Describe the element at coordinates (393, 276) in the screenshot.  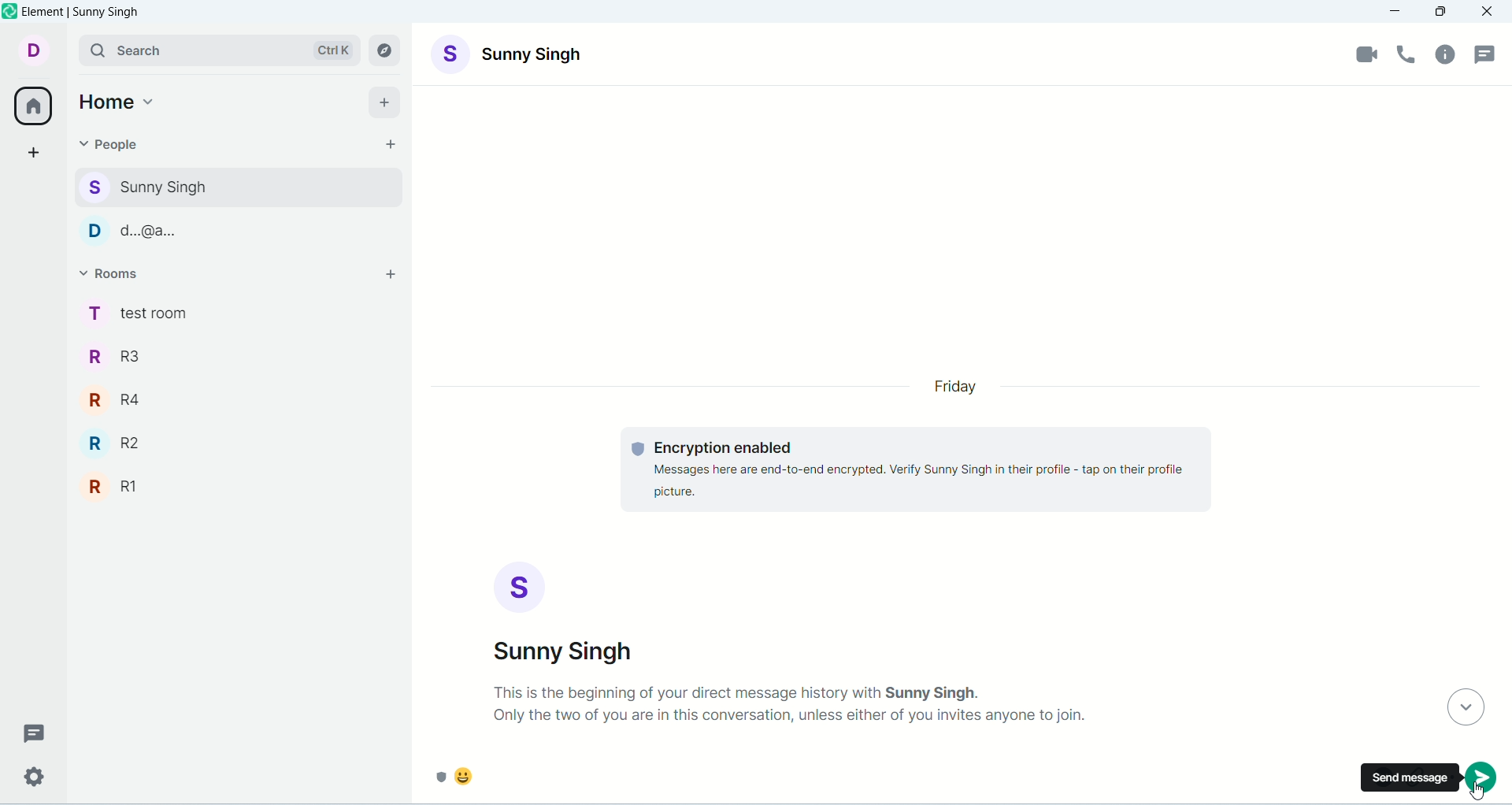
I see `add` at that location.